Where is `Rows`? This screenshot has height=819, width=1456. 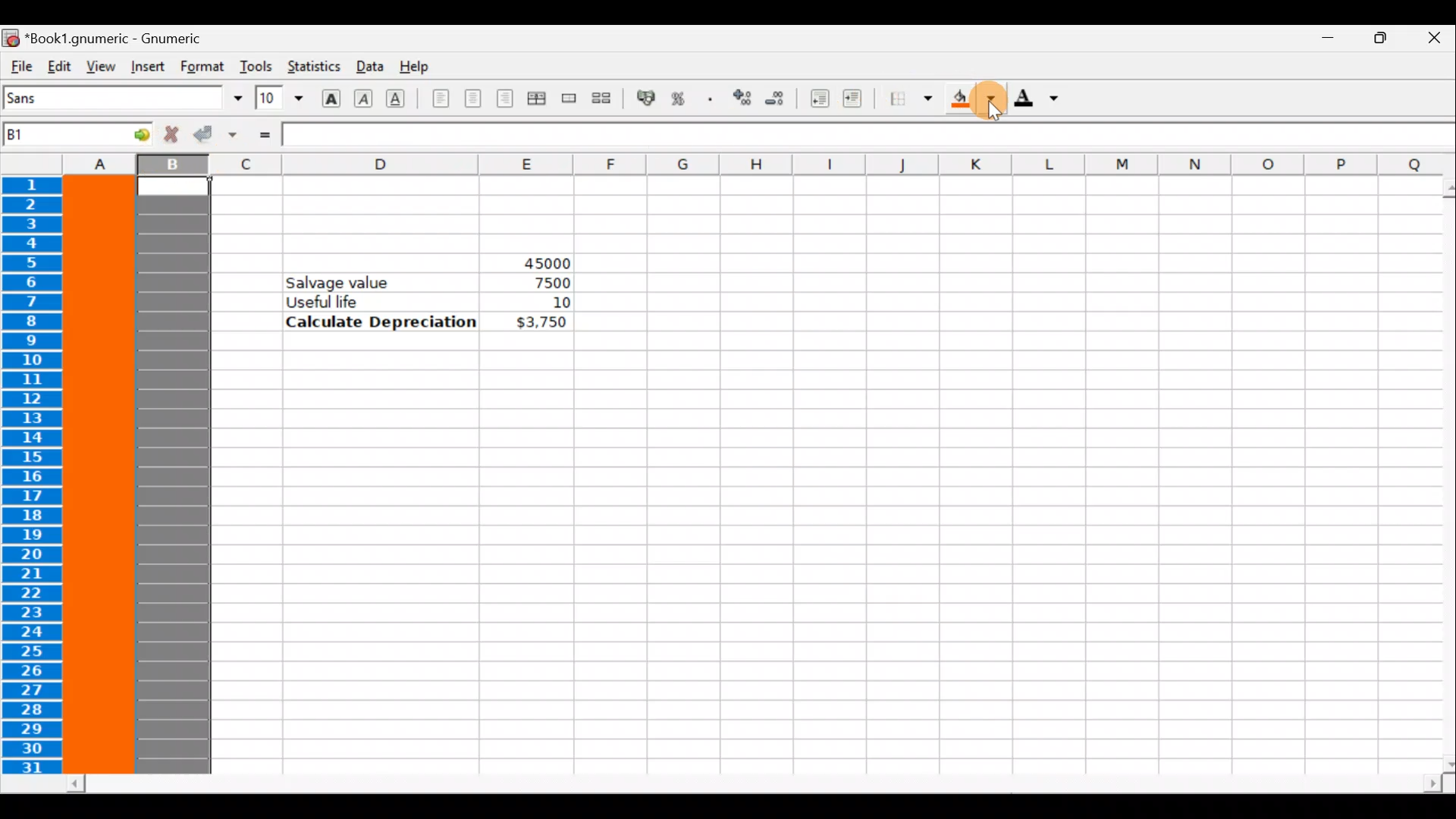
Rows is located at coordinates (36, 477).